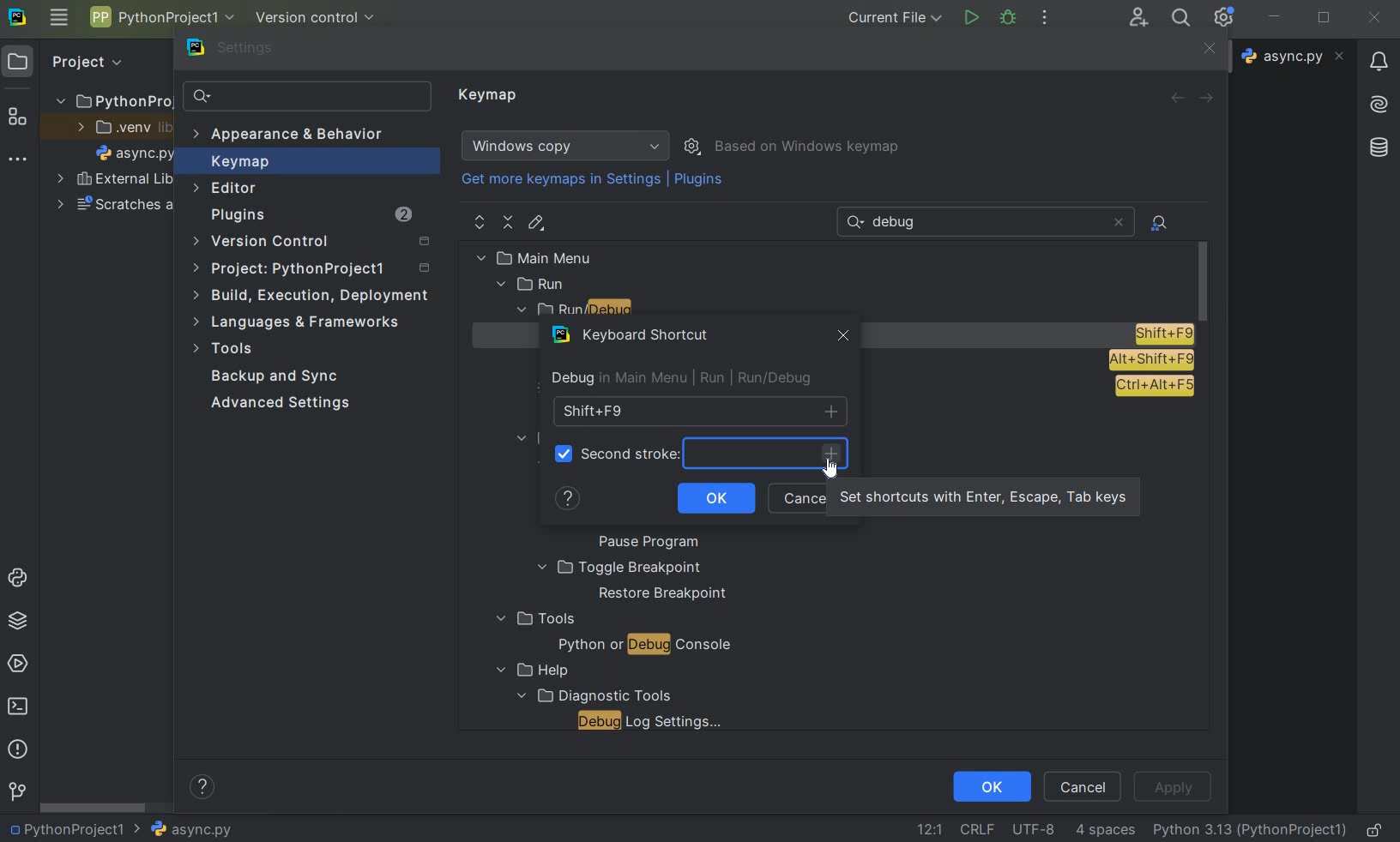  Describe the element at coordinates (317, 243) in the screenshot. I see `version control` at that location.